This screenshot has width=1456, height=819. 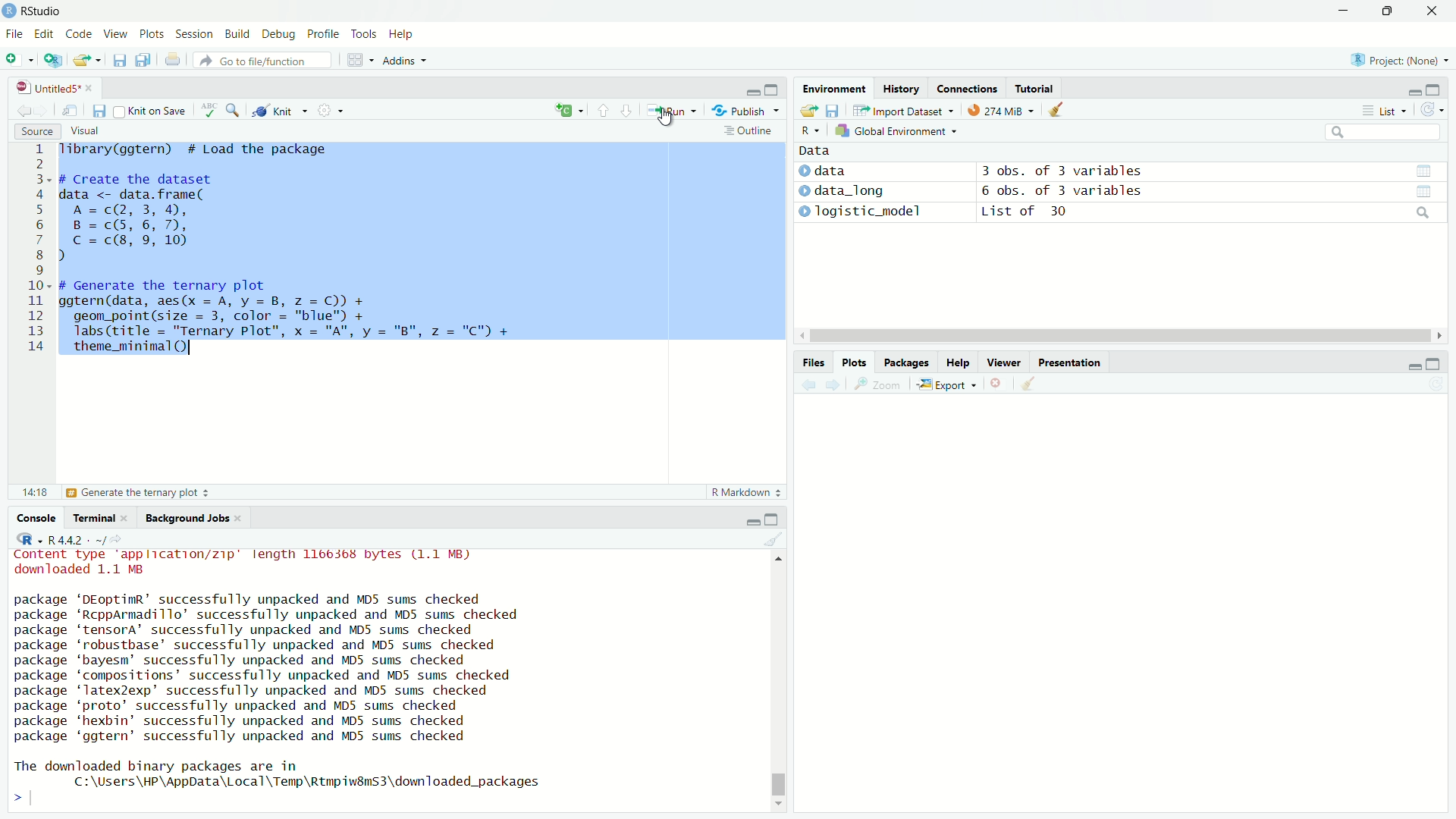 I want to click on export, so click(x=89, y=61).